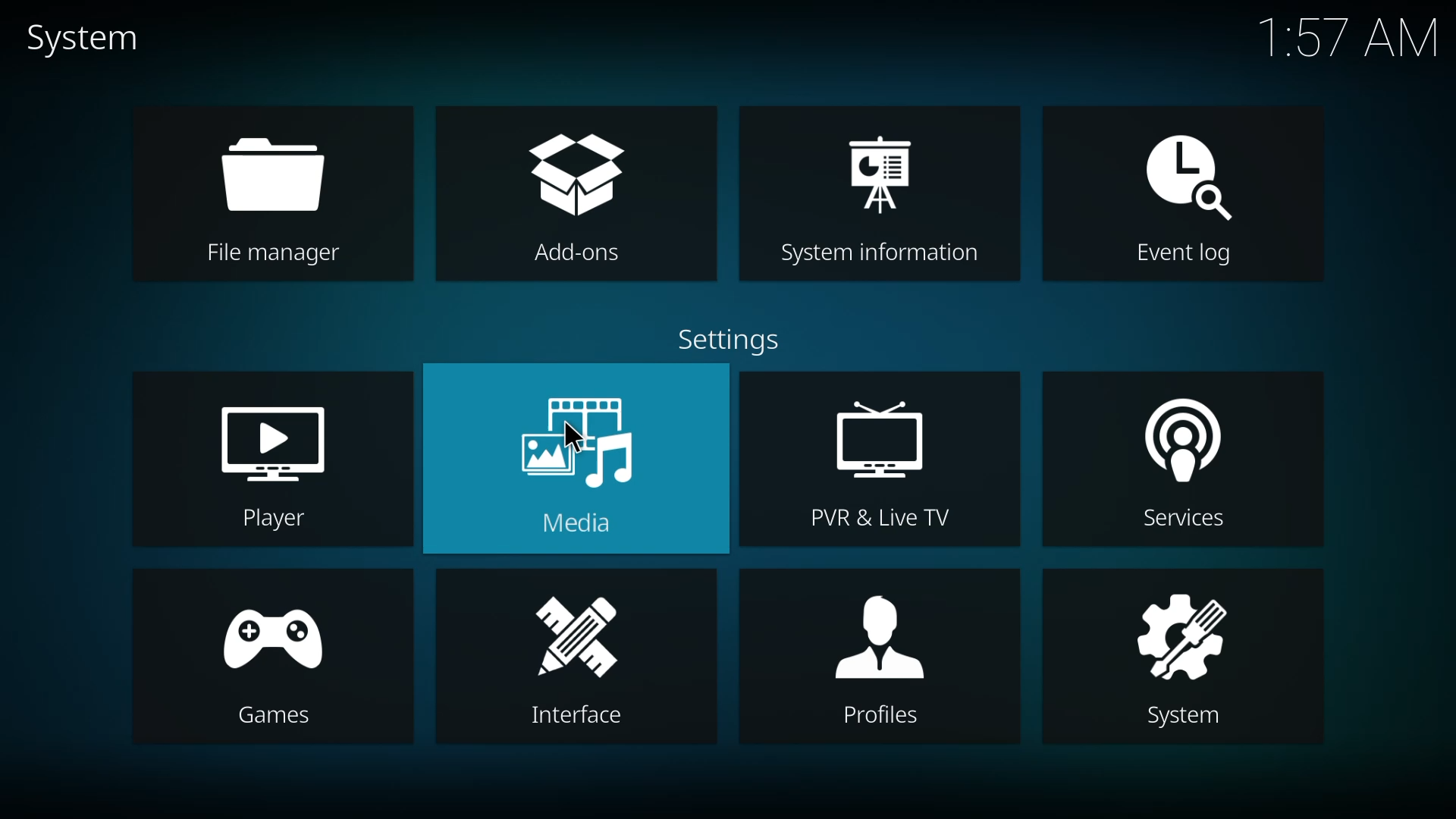 The height and width of the screenshot is (819, 1456). I want to click on settings, so click(726, 340).